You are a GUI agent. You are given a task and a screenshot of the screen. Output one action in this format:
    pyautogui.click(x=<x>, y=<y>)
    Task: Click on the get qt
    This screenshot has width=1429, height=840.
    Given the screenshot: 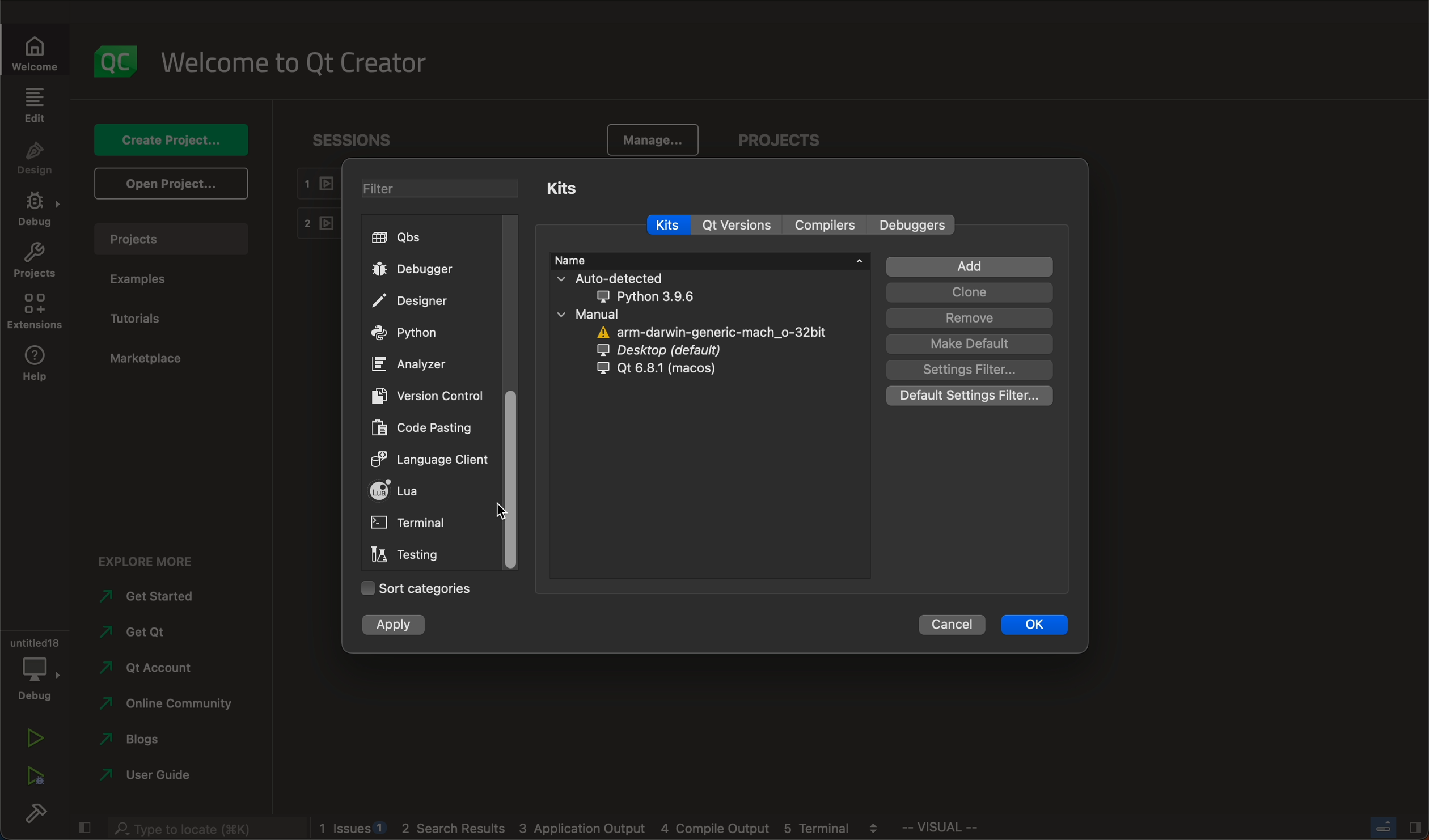 What is the action you would take?
    pyautogui.click(x=164, y=632)
    